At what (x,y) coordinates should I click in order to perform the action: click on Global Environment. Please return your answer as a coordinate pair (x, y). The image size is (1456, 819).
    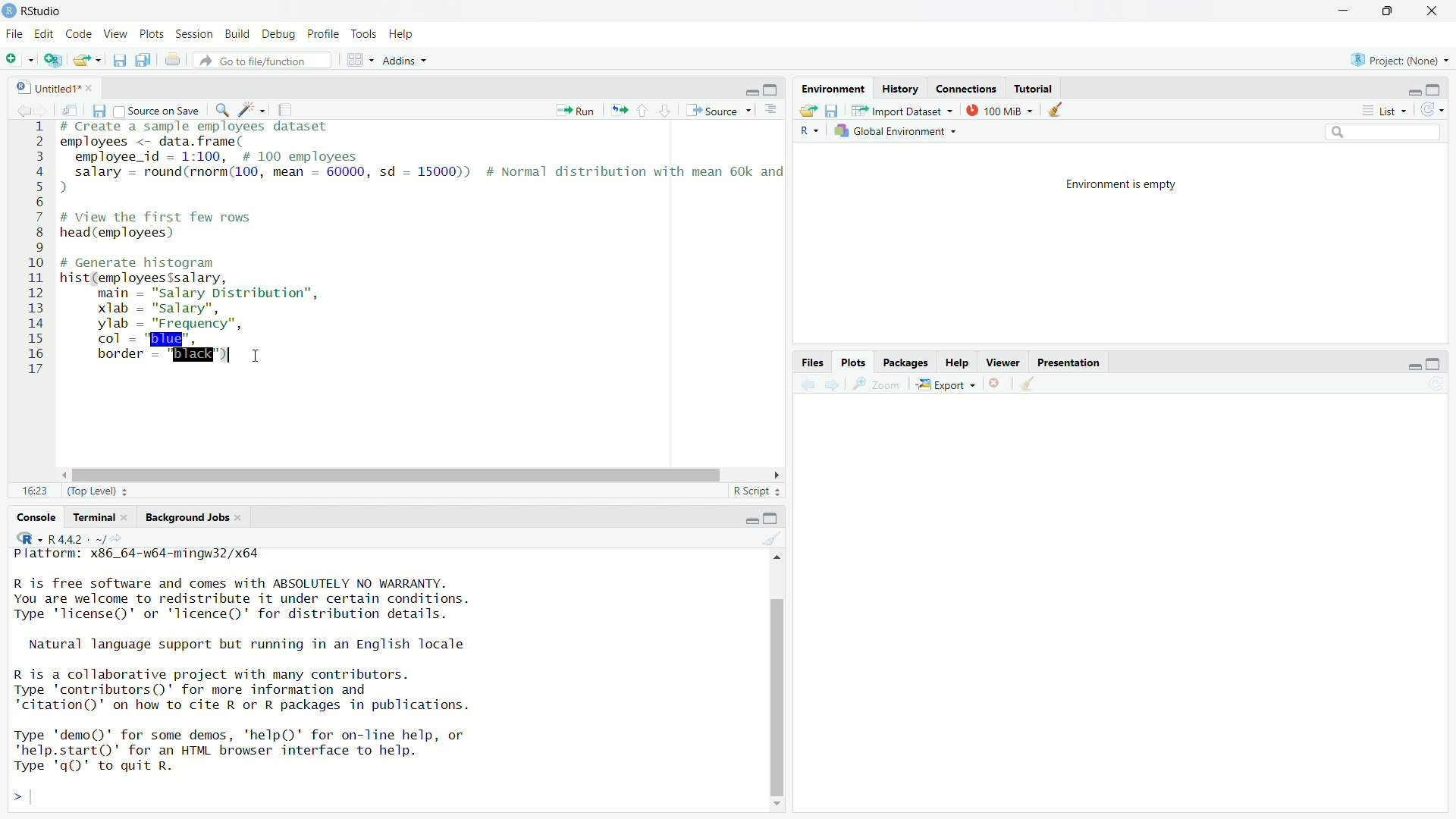
    Looking at the image, I should click on (896, 131).